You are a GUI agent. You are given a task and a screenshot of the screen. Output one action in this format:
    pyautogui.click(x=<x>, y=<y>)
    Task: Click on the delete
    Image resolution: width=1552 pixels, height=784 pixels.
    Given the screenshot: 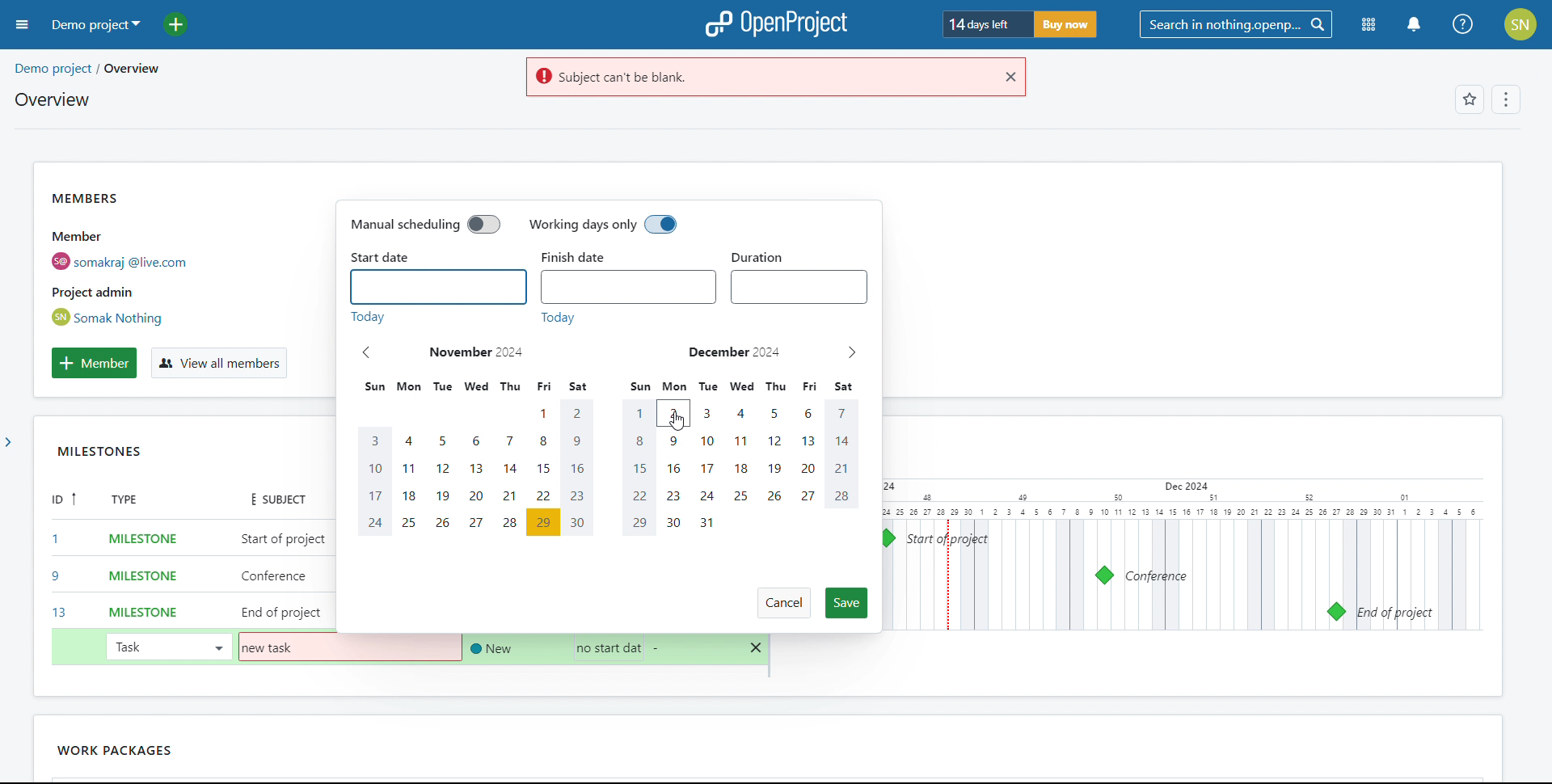 What is the action you would take?
    pyautogui.click(x=757, y=648)
    